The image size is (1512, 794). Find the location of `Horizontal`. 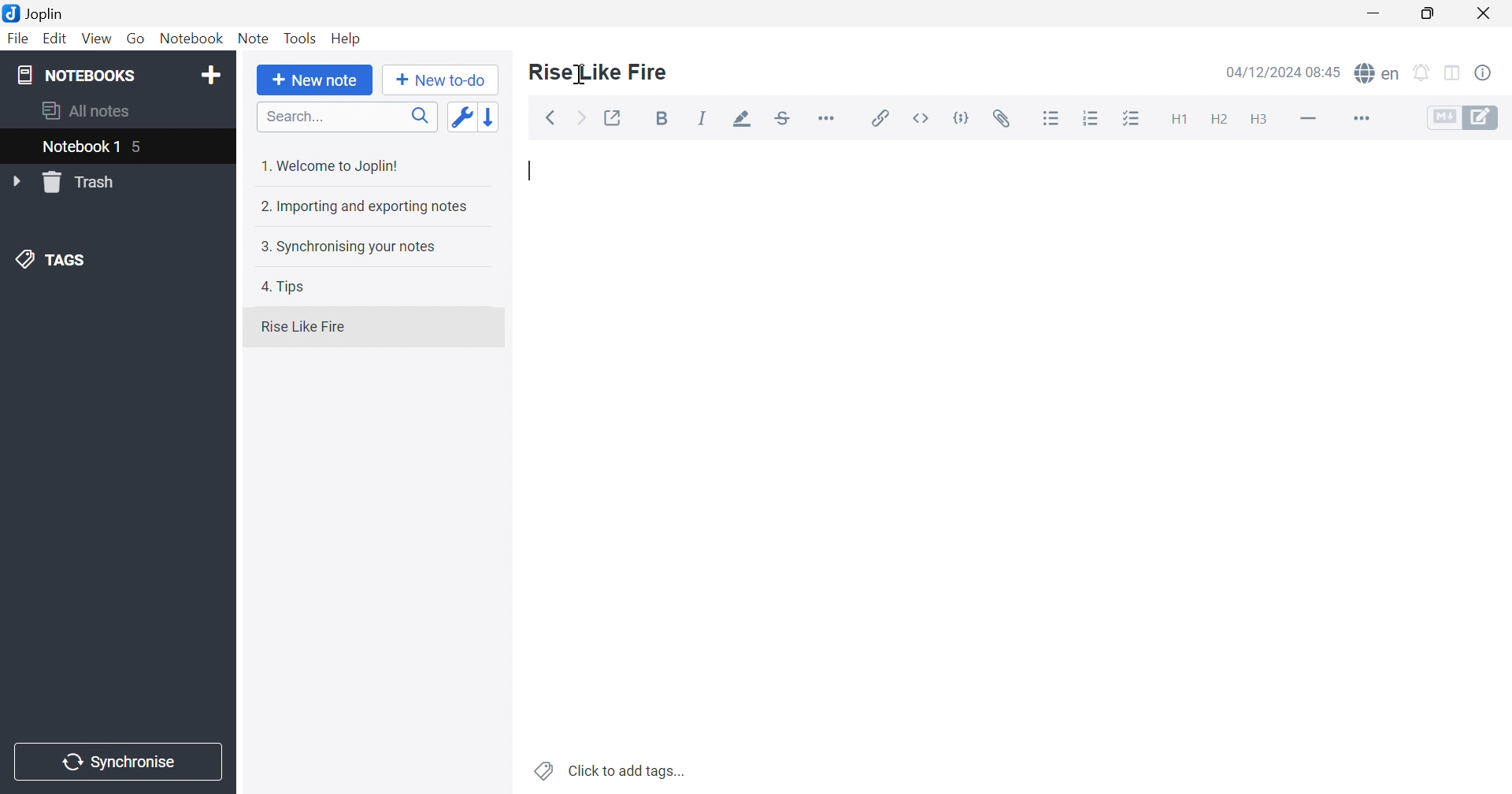

Horizontal is located at coordinates (826, 118).